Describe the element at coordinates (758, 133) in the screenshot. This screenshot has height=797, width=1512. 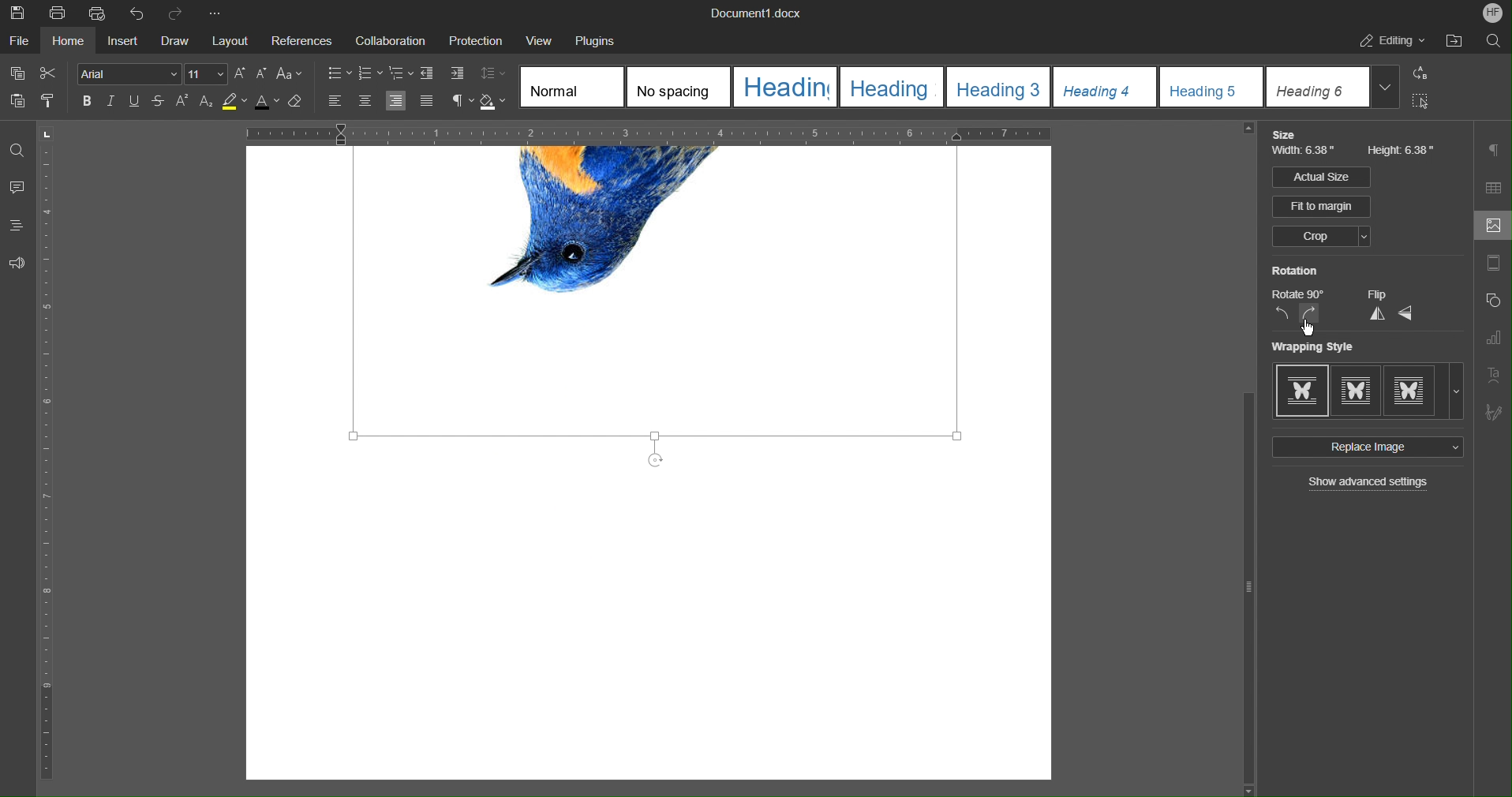
I see `Horizontal Ruler` at that location.